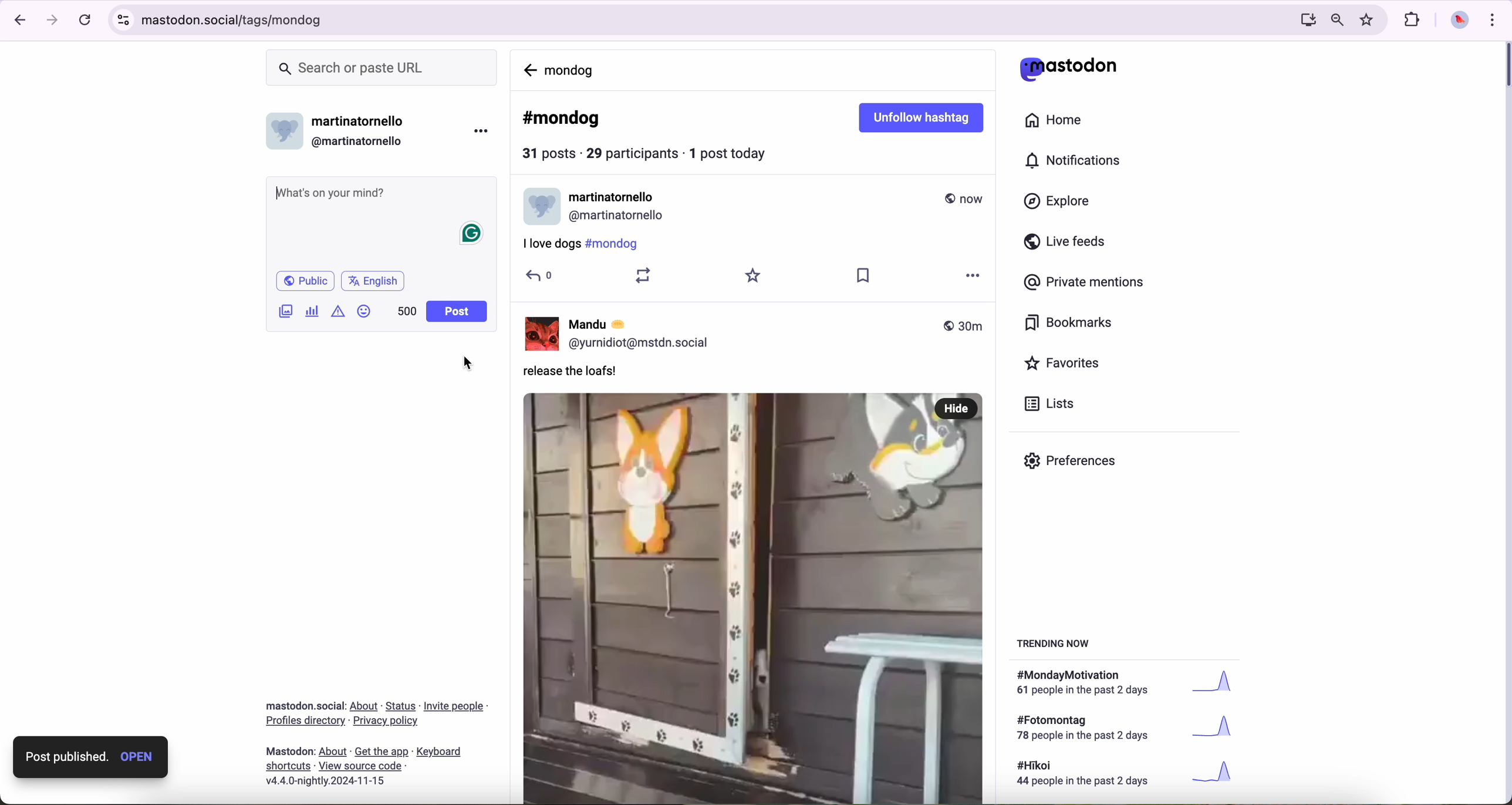 This screenshot has height=805, width=1512. I want to click on mastodon logo, so click(1068, 68).